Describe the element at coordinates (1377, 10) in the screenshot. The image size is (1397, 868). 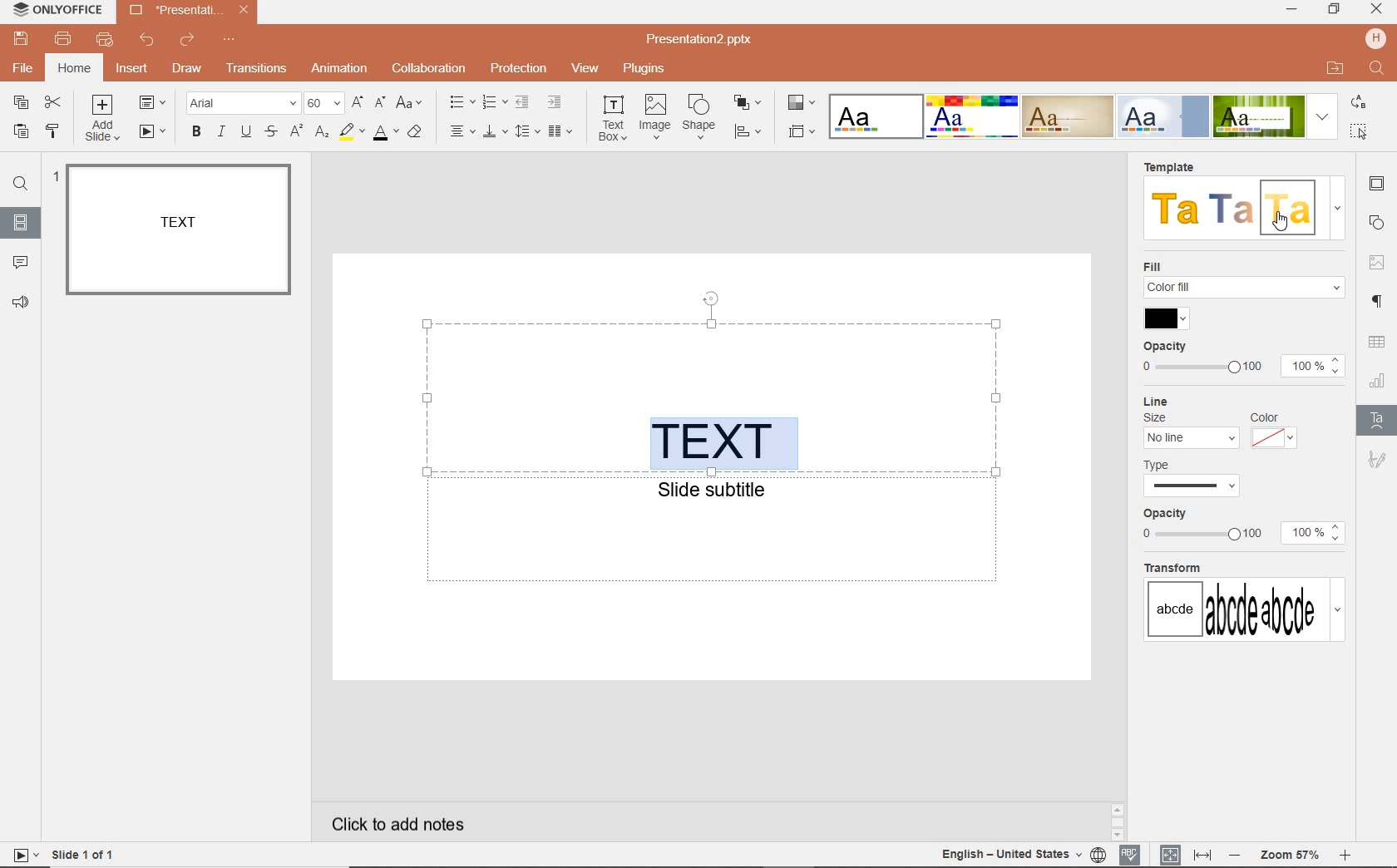
I see `close` at that location.